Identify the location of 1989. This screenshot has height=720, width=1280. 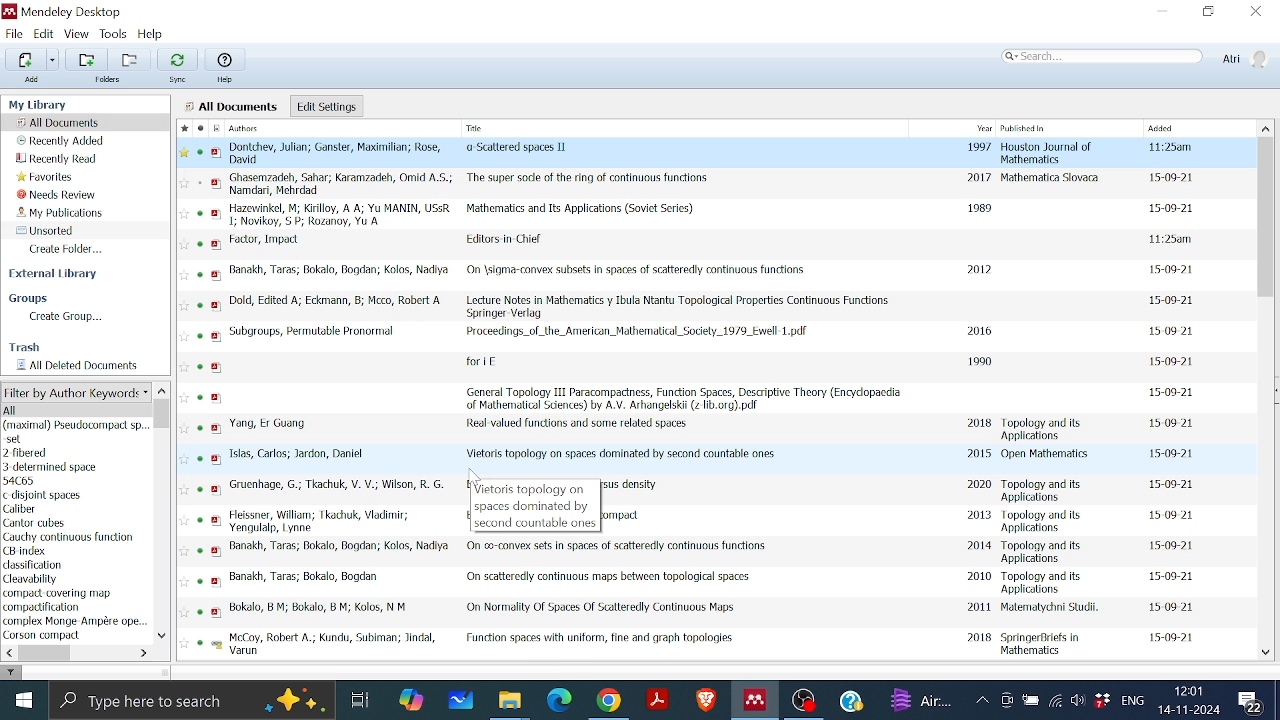
(978, 208).